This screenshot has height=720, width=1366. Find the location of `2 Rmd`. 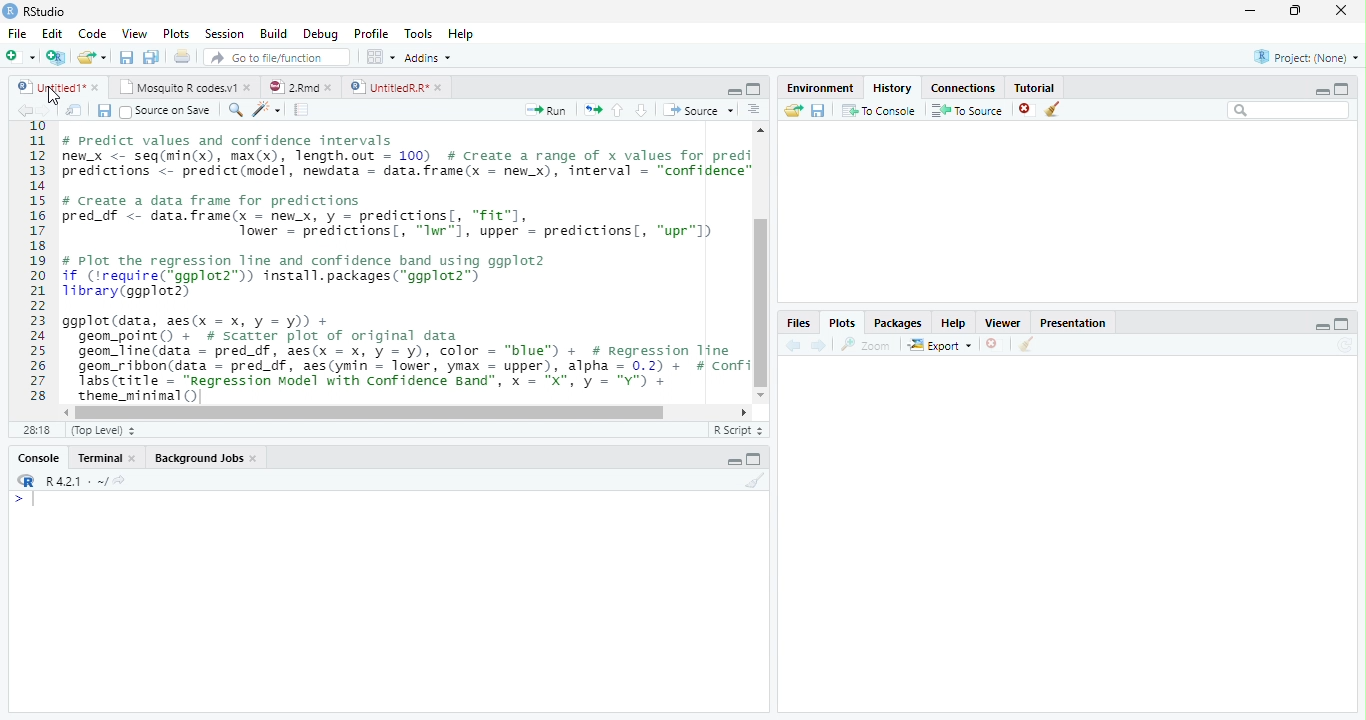

2 Rmd is located at coordinates (300, 85).